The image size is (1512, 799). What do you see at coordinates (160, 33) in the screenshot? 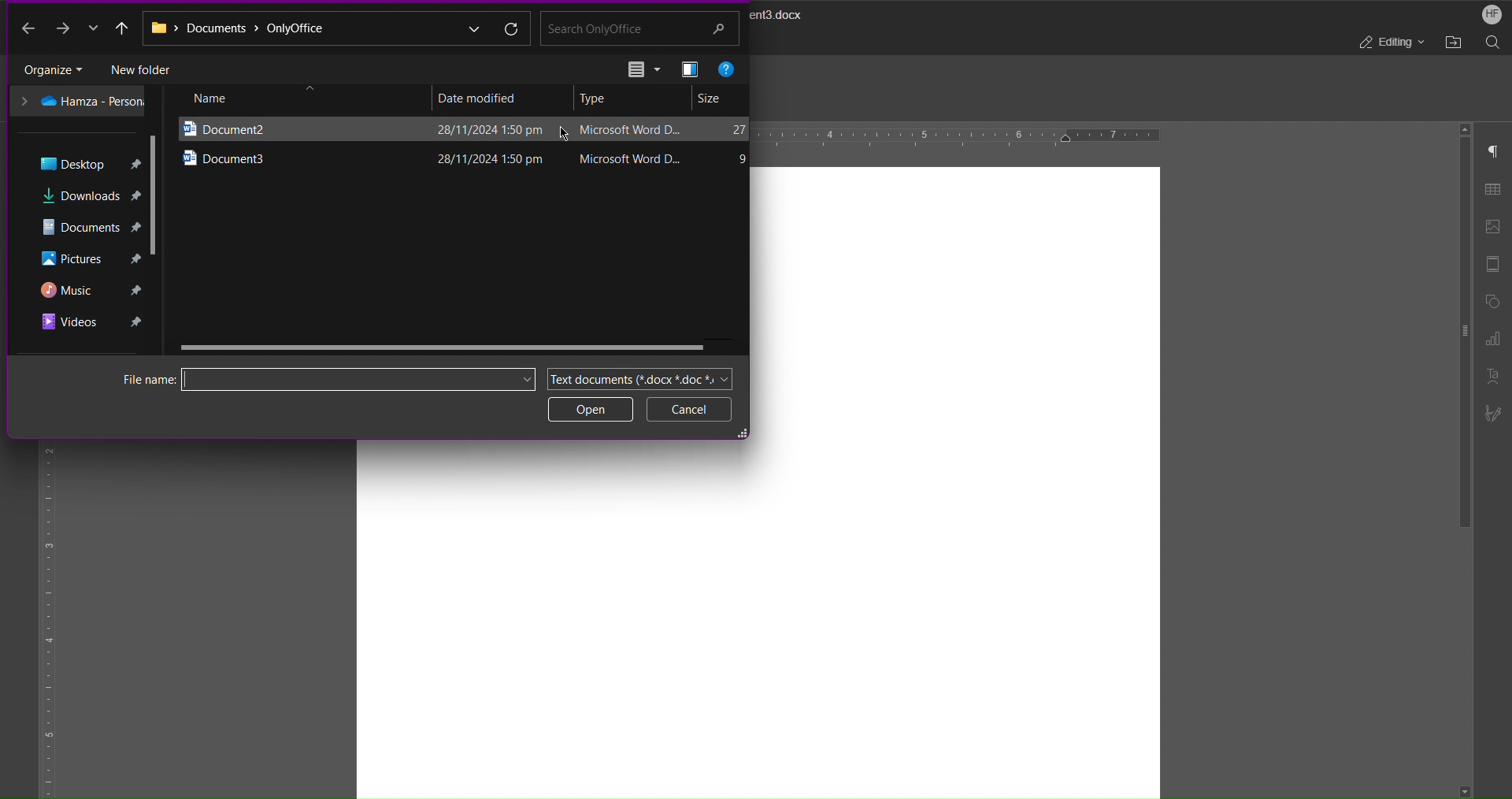
I see `Main Folder` at bounding box center [160, 33].